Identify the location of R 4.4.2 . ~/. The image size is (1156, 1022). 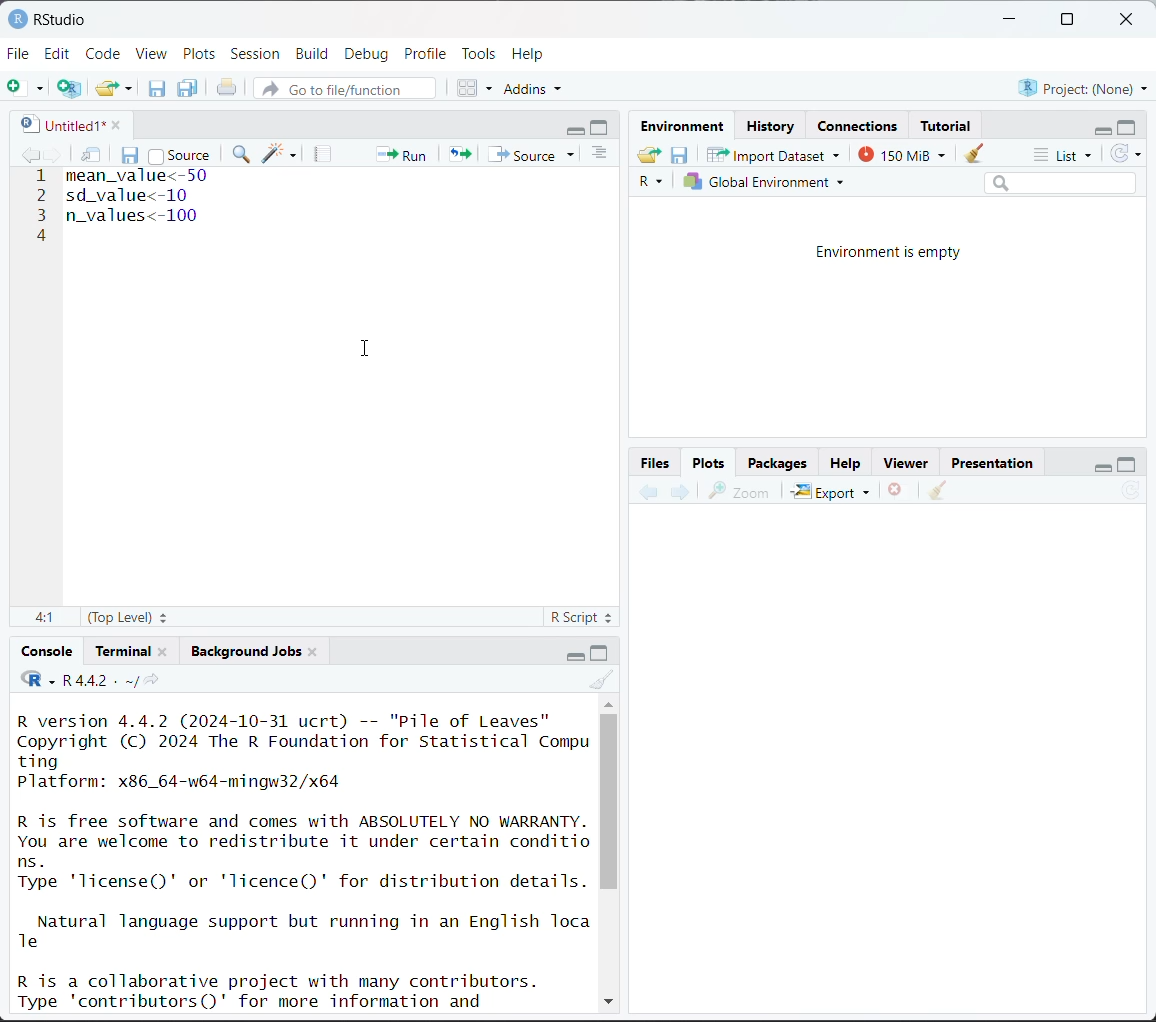
(99, 680).